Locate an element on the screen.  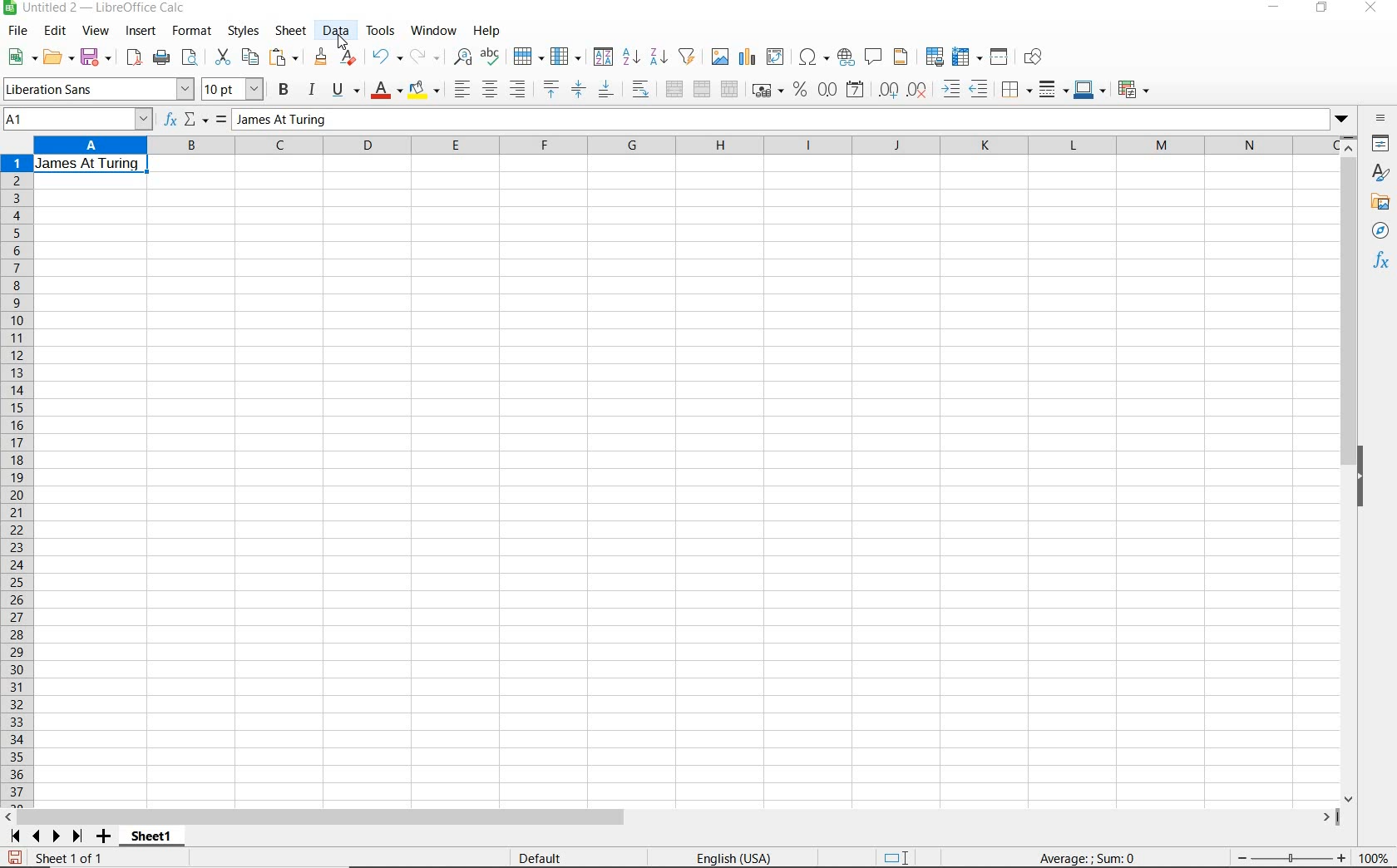
sort ascending is located at coordinates (630, 57).